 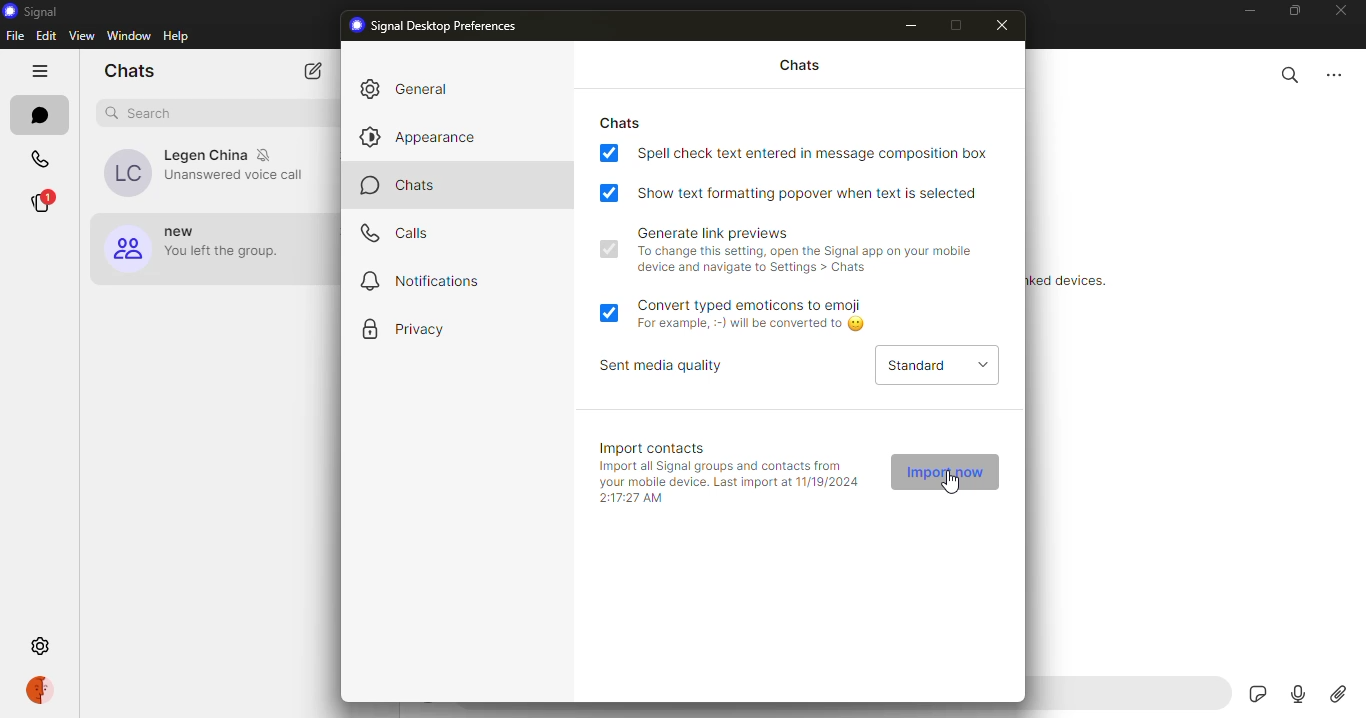 What do you see at coordinates (428, 88) in the screenshot?
I see `general` at bounding box center [428, 88].